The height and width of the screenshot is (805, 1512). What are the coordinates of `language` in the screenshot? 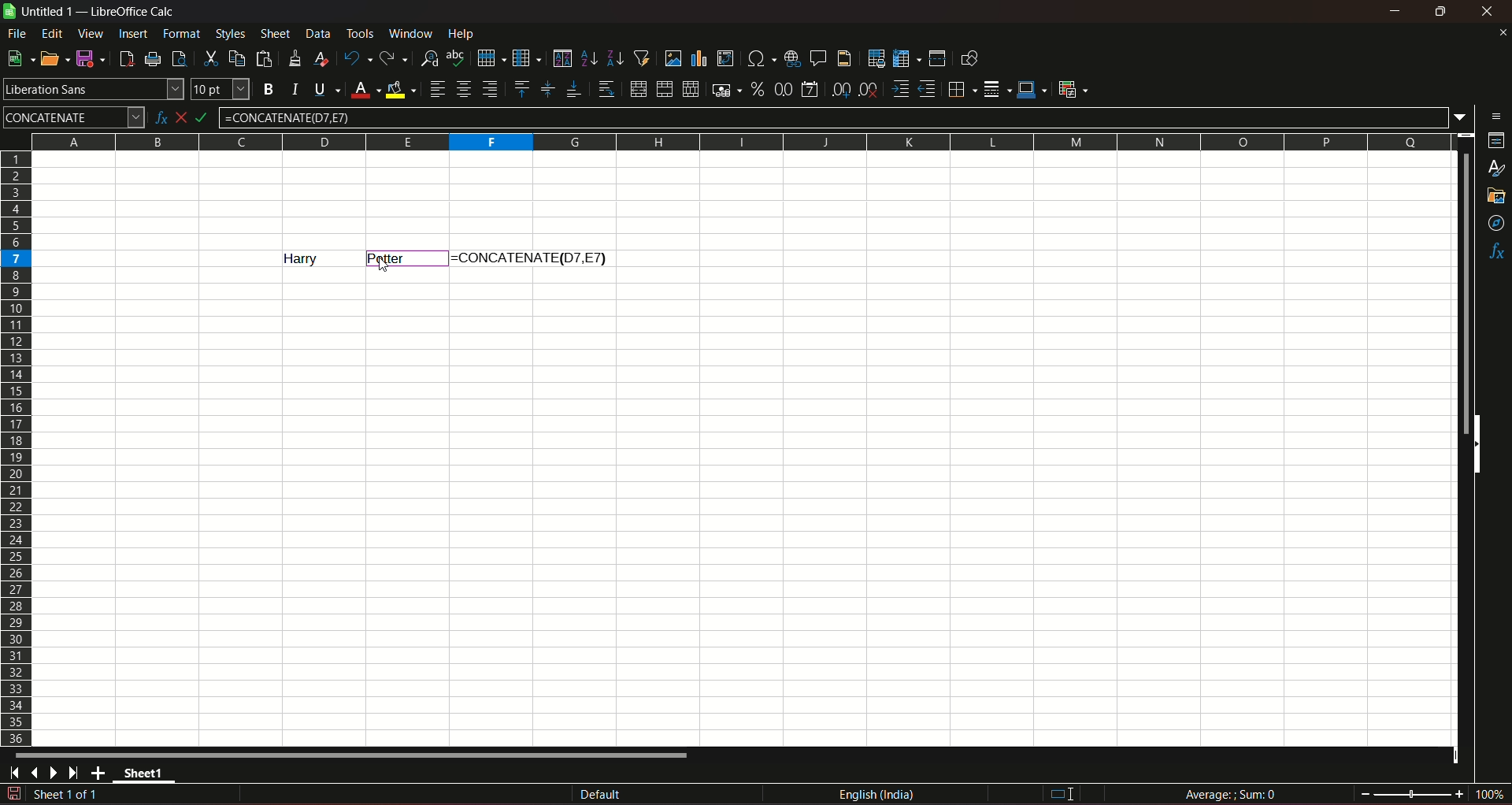 It's located at (880, 795).